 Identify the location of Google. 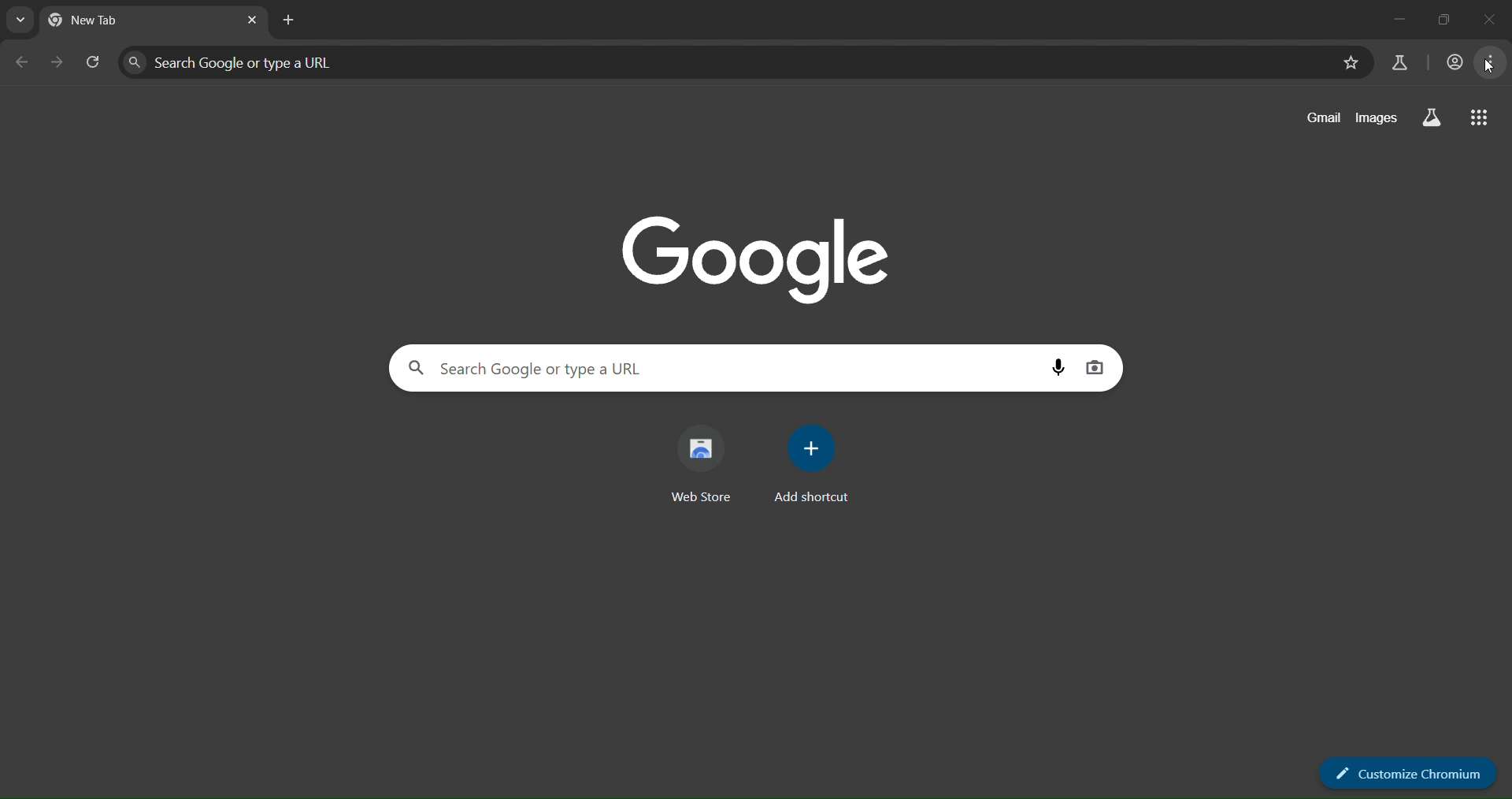
(757, 250).